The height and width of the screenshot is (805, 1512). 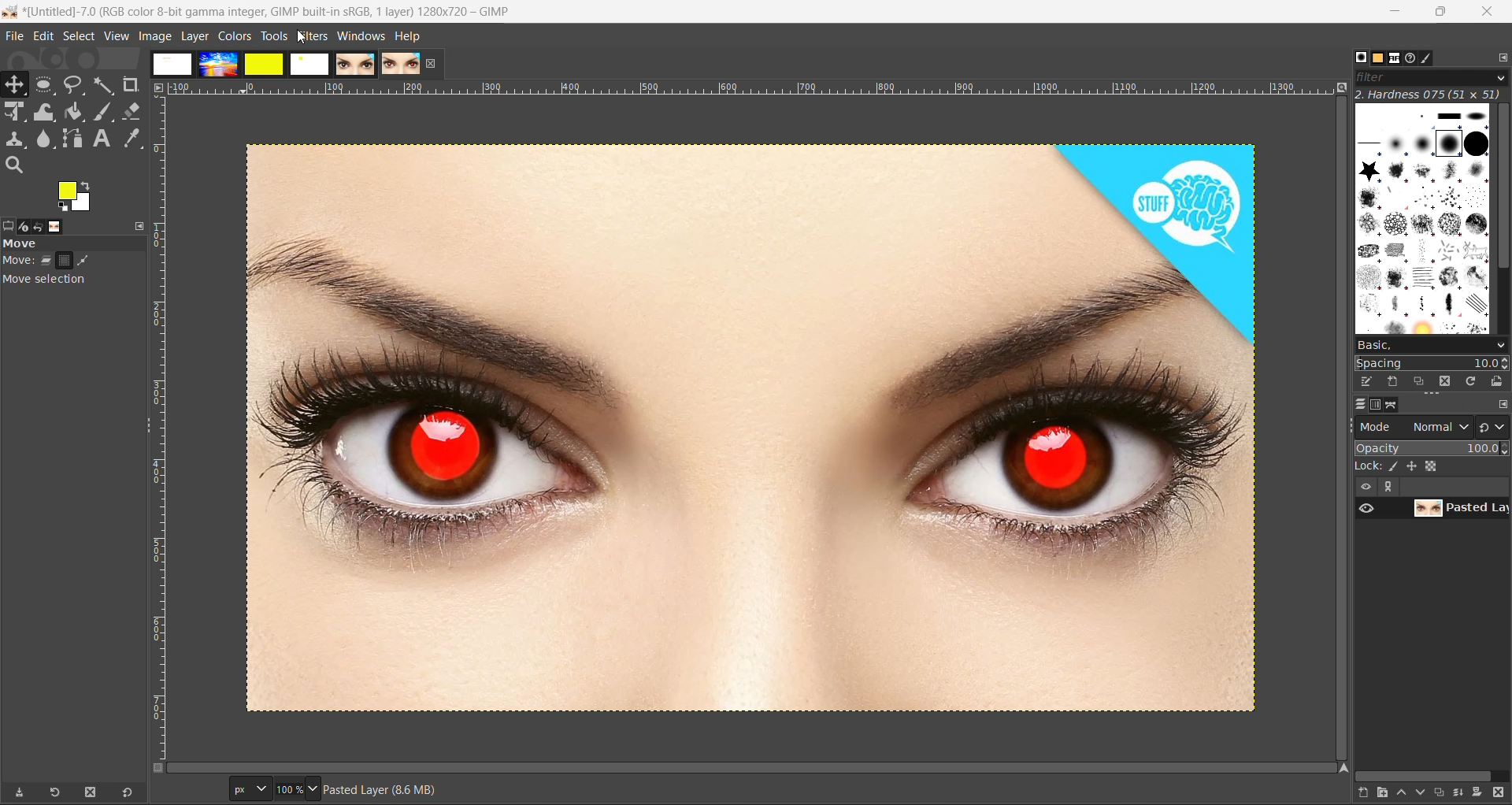 I want to click on create a duplicate, so click(x=1440, y=793).